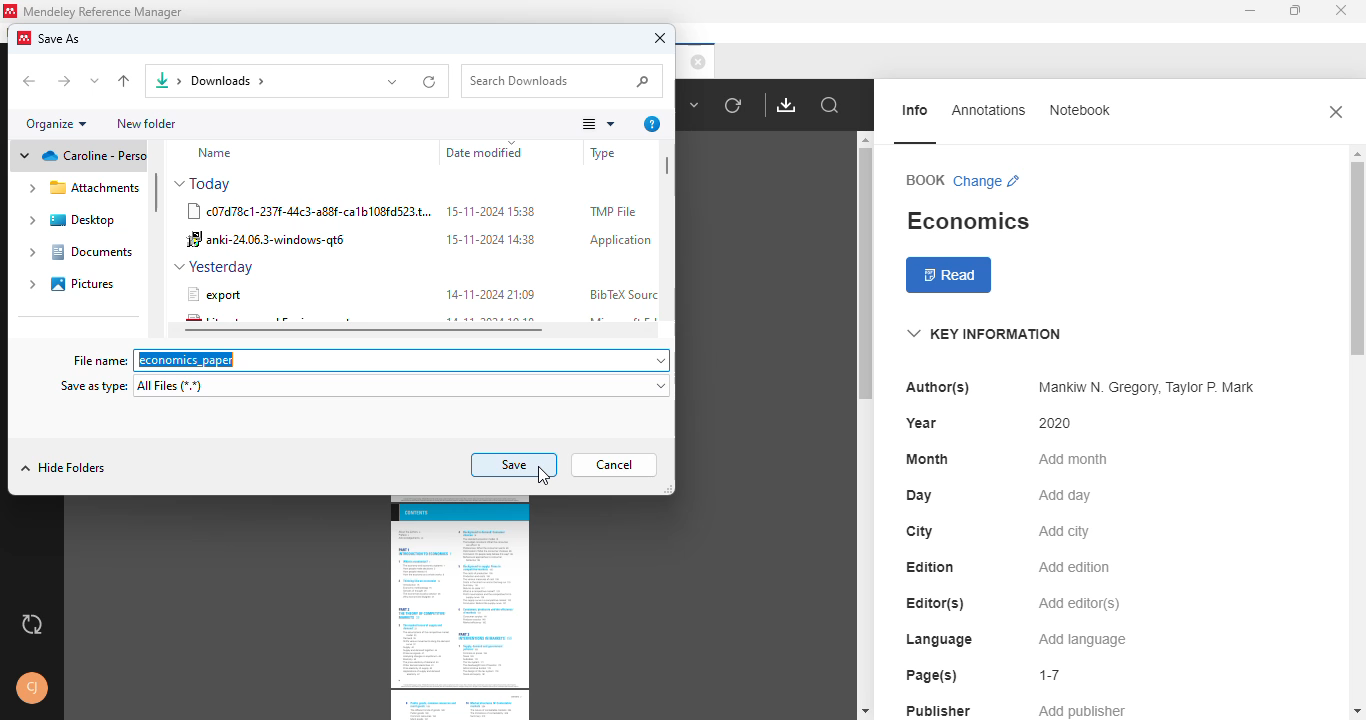  What do you see at coordinates (33, 688) in the screenshot?
I see `profile` at bounding box center [33, 688].